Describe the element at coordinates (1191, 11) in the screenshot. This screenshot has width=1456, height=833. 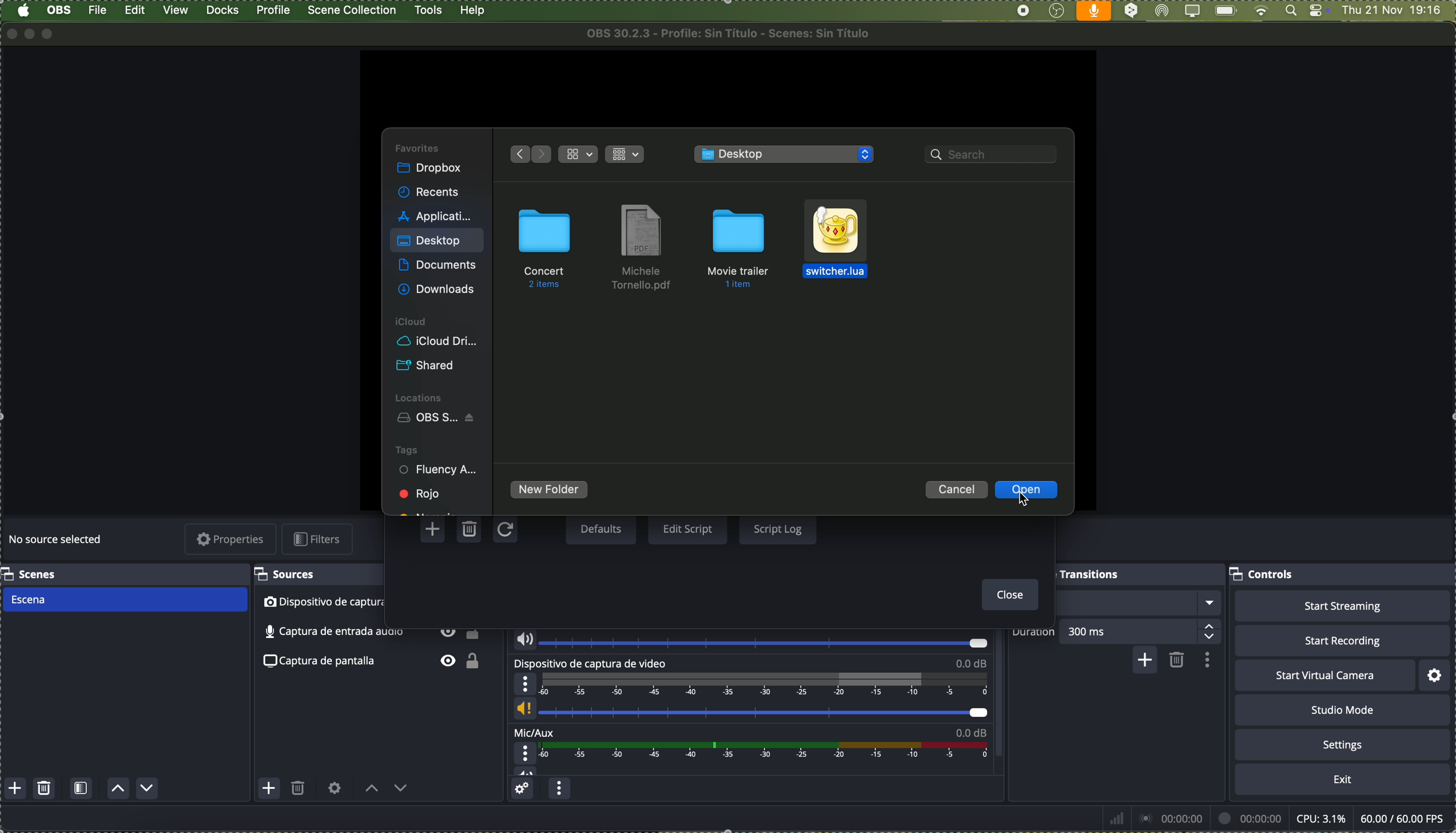
I see `screen` at that location.